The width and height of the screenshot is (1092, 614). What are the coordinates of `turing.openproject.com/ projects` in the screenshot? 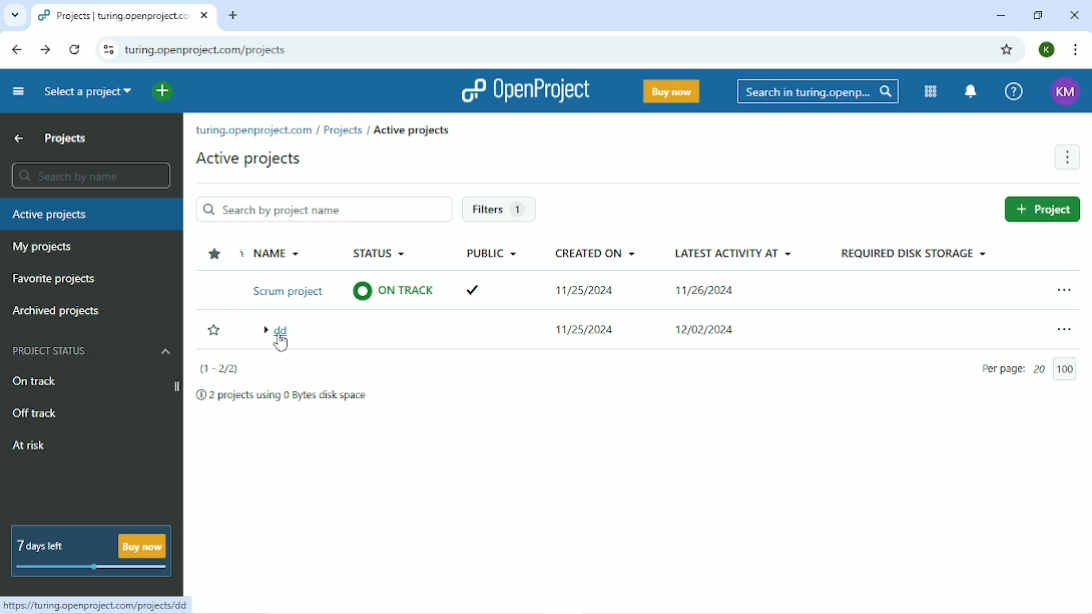 It's located at (207, 49).